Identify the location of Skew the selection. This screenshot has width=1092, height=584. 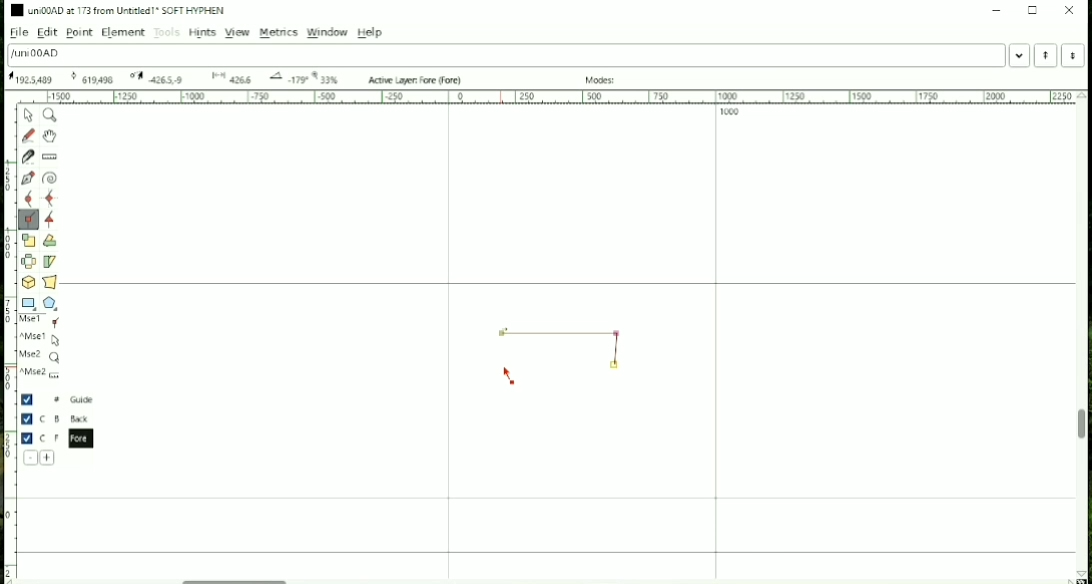
(49, 262).